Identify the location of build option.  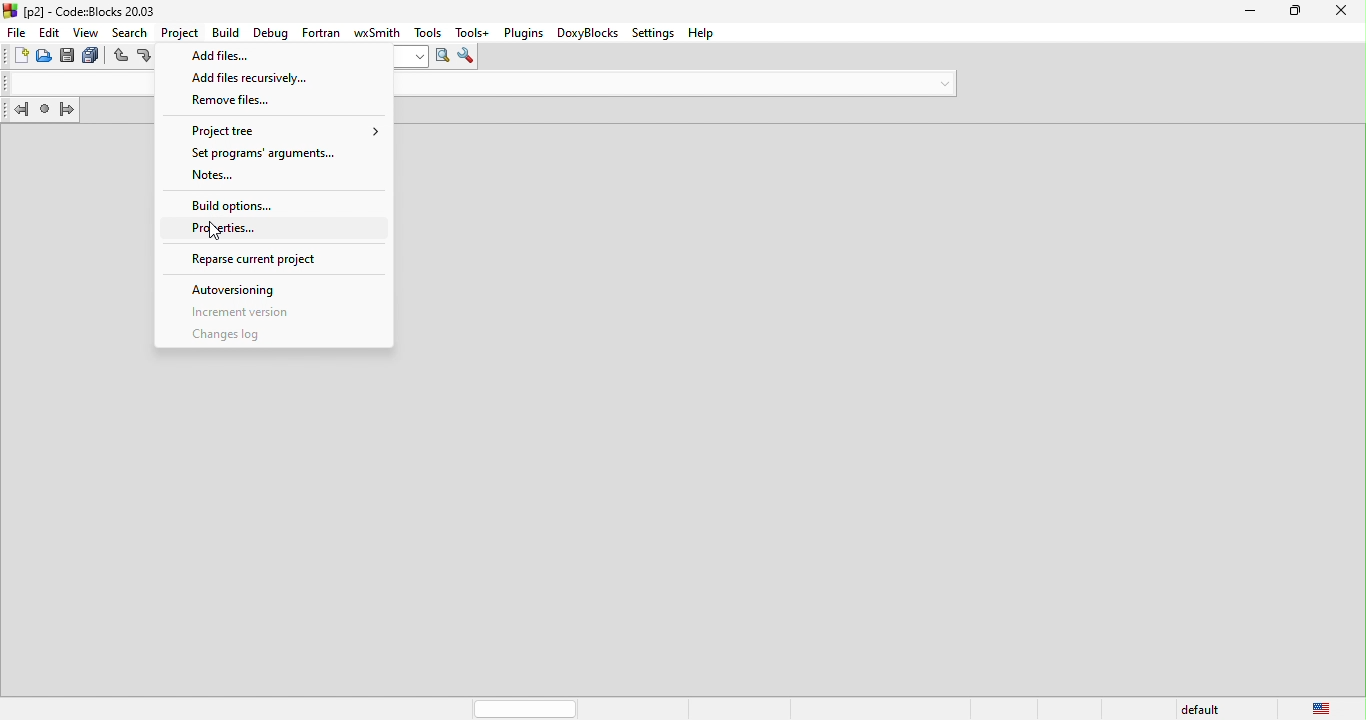
(269, 203).